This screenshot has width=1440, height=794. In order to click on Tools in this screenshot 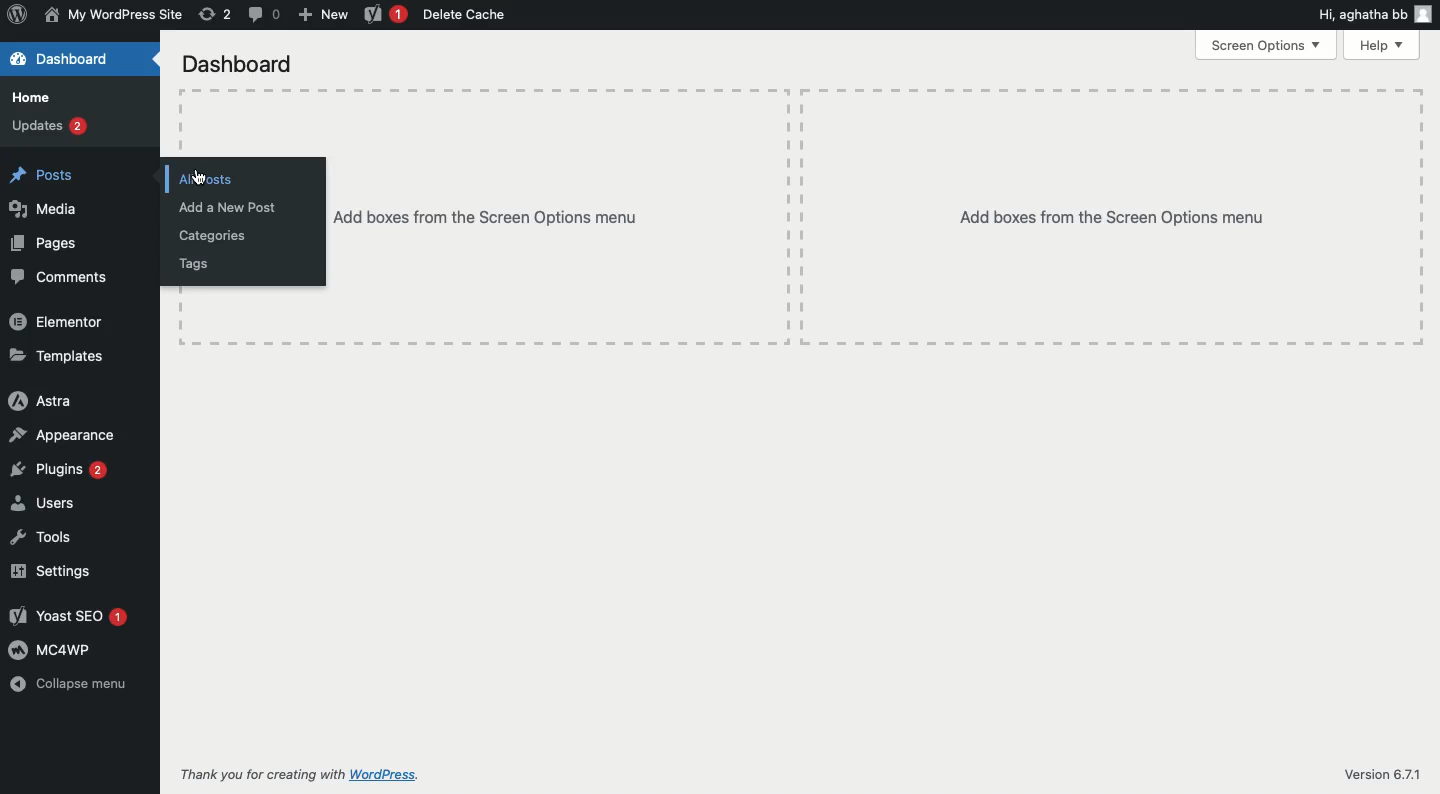, I will do `click(44, 538)`.